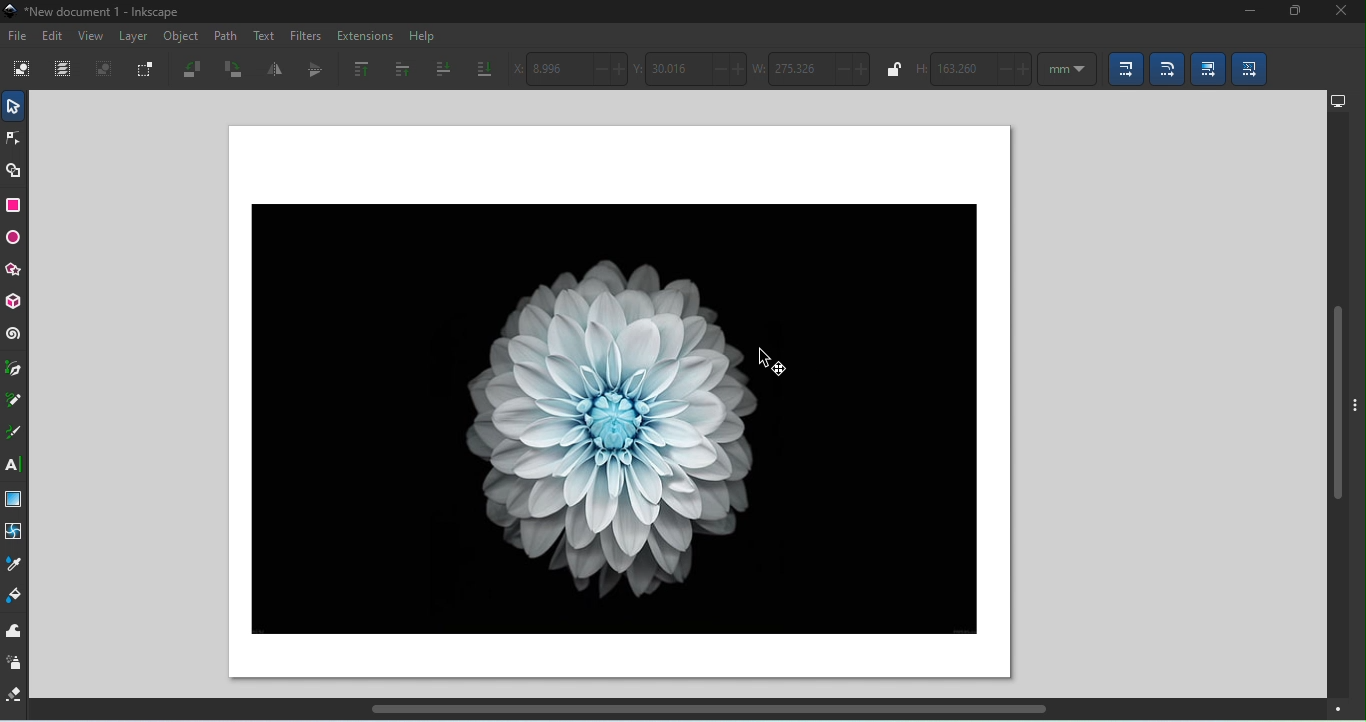 The width and height of the screenshot is (1366, 722). Describe the element at coordinates (484, 66) in the screenshot. I see `Lower selection to bottom` at that location.